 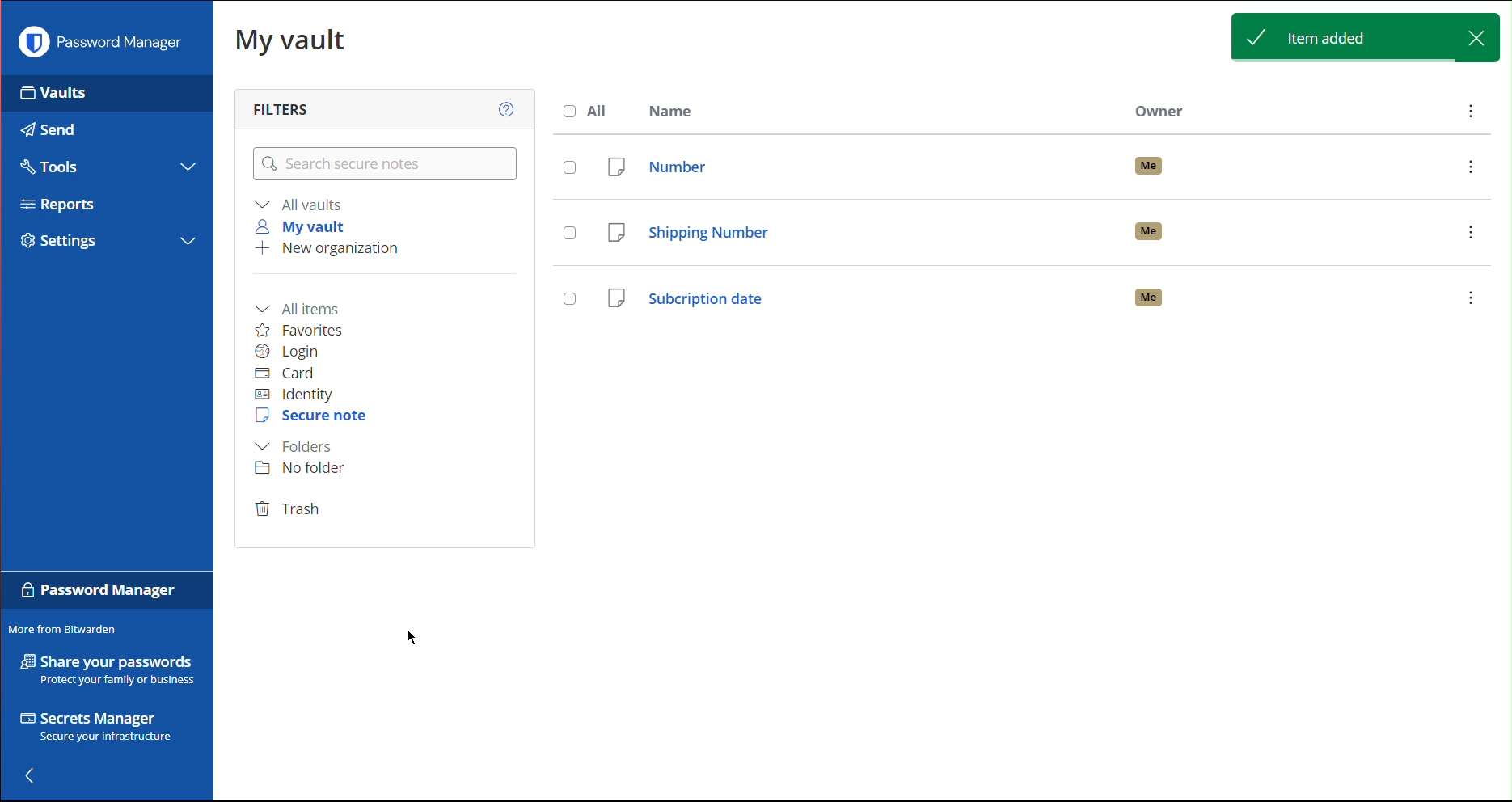 What do you see at coordinates (1026, 230) in the screenshot?
I see `Shipping Number` at bounding box center [1026, 230].